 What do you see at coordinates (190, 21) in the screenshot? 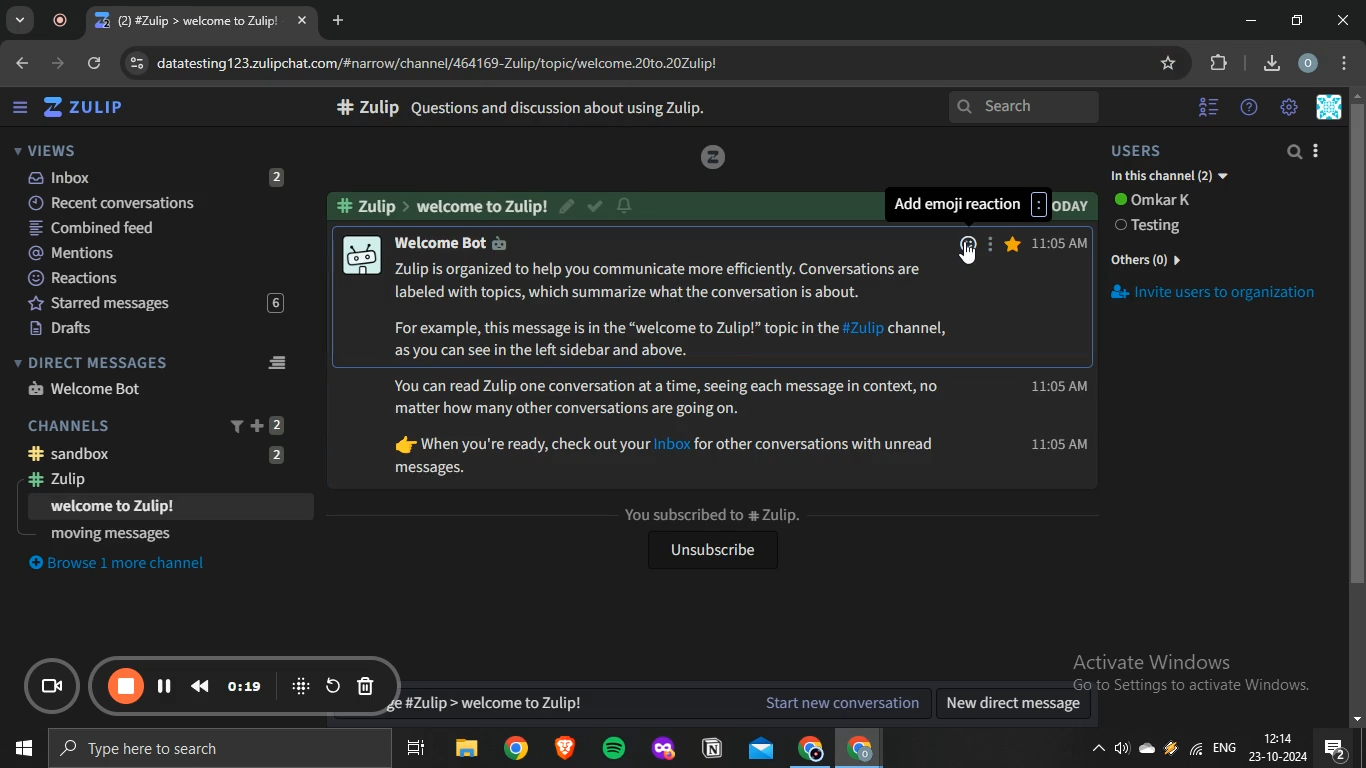
I see `tab` at bounding box center [190, 21].